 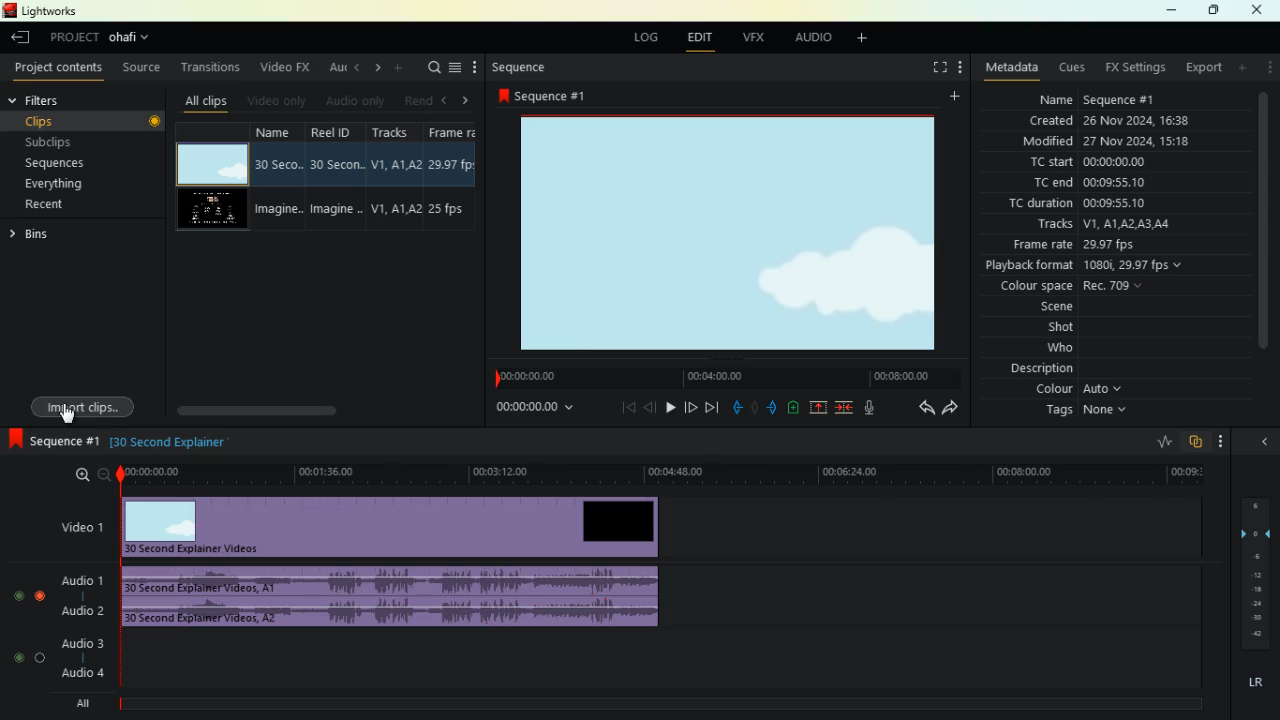 I want to click on forward, so click(x=954, y=407).